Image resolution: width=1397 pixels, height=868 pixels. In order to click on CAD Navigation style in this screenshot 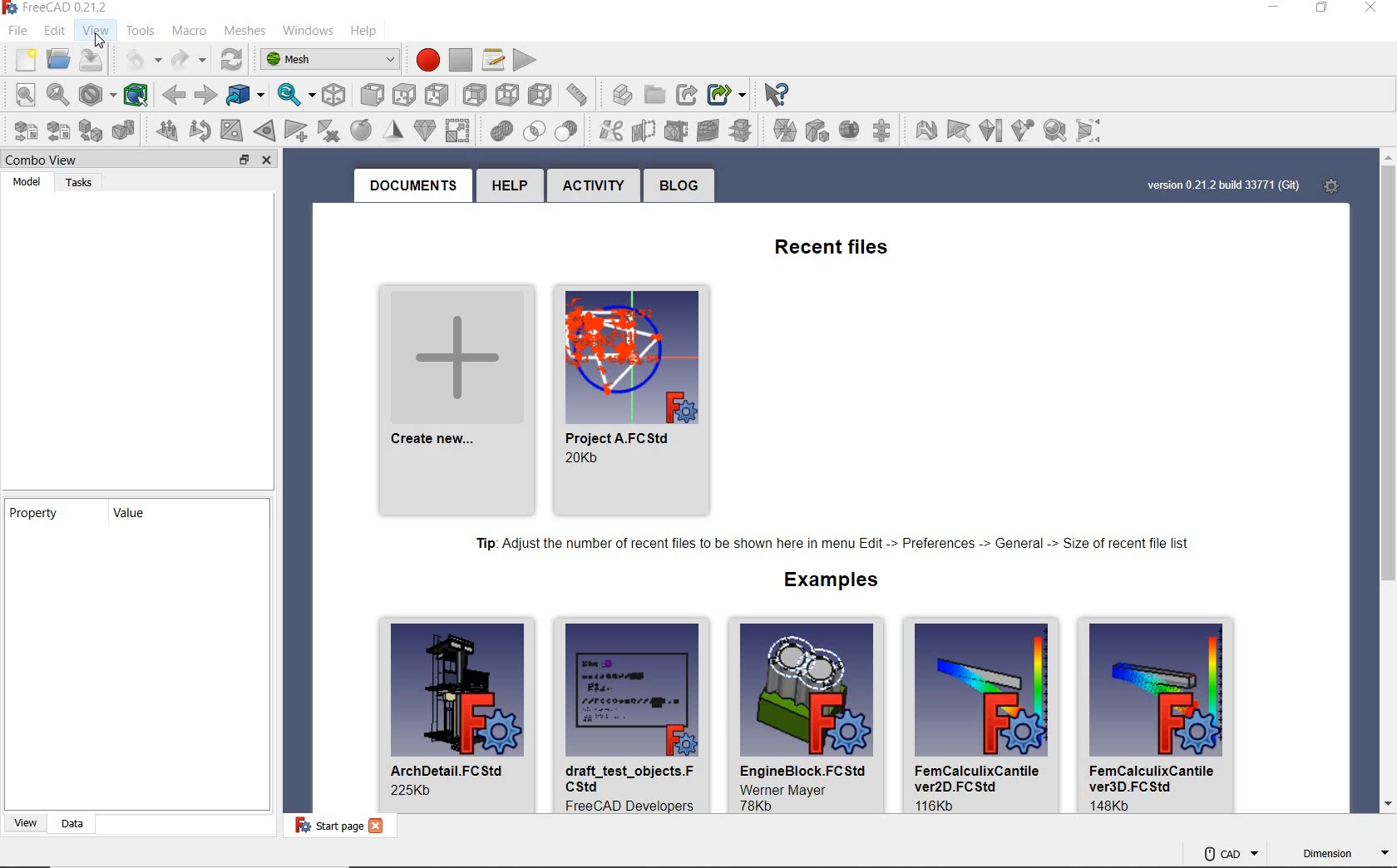, I will do `click(1224, 851)`.